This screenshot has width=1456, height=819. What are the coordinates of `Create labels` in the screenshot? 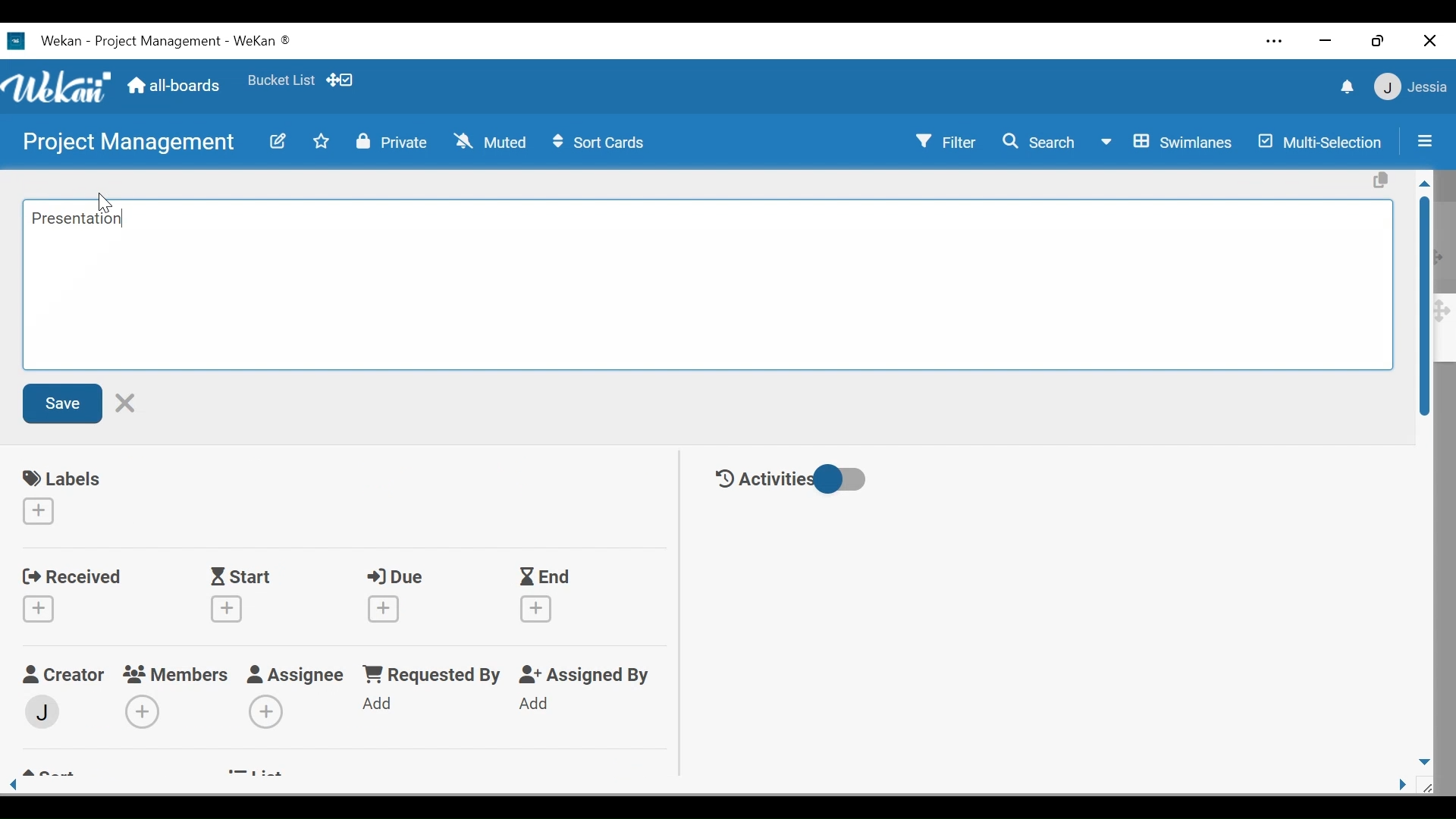 It's located at (39, 511).